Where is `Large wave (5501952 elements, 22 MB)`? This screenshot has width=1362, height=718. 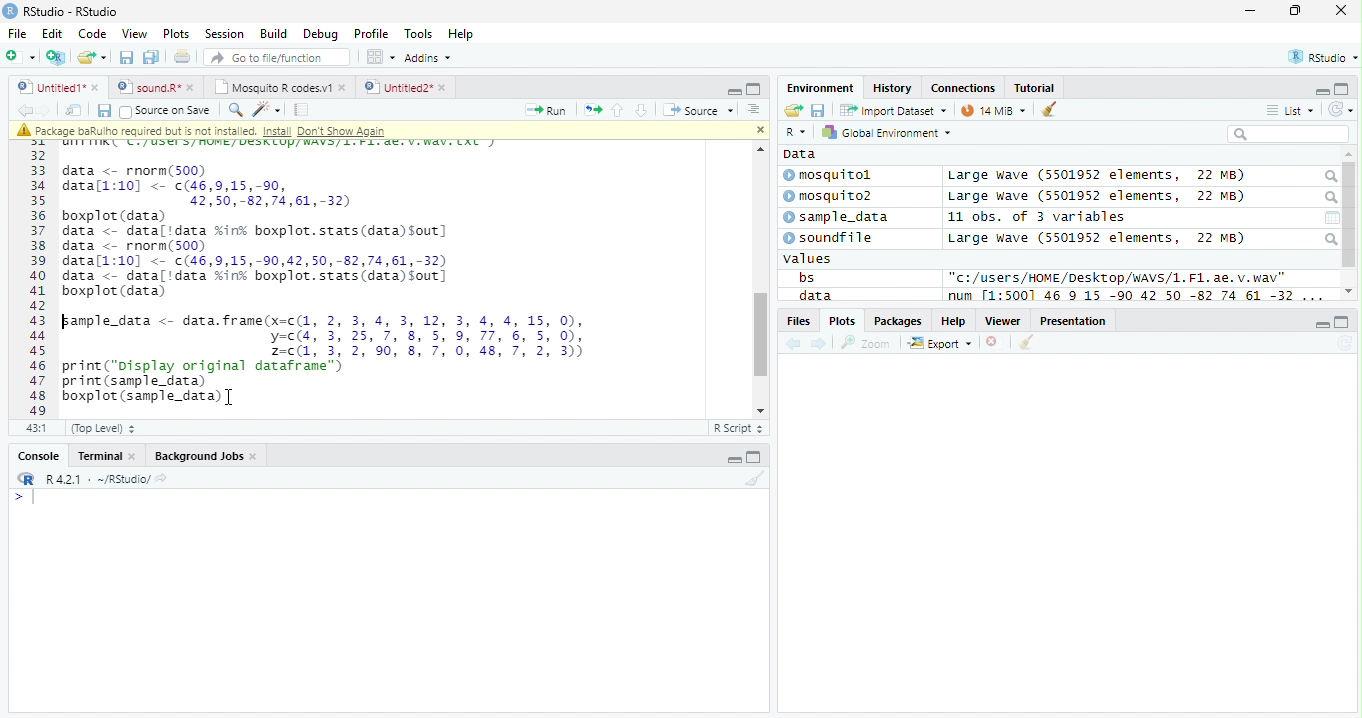
Large wave (5501952 elements, 22 MB) is located at coordinates (1096, 238).